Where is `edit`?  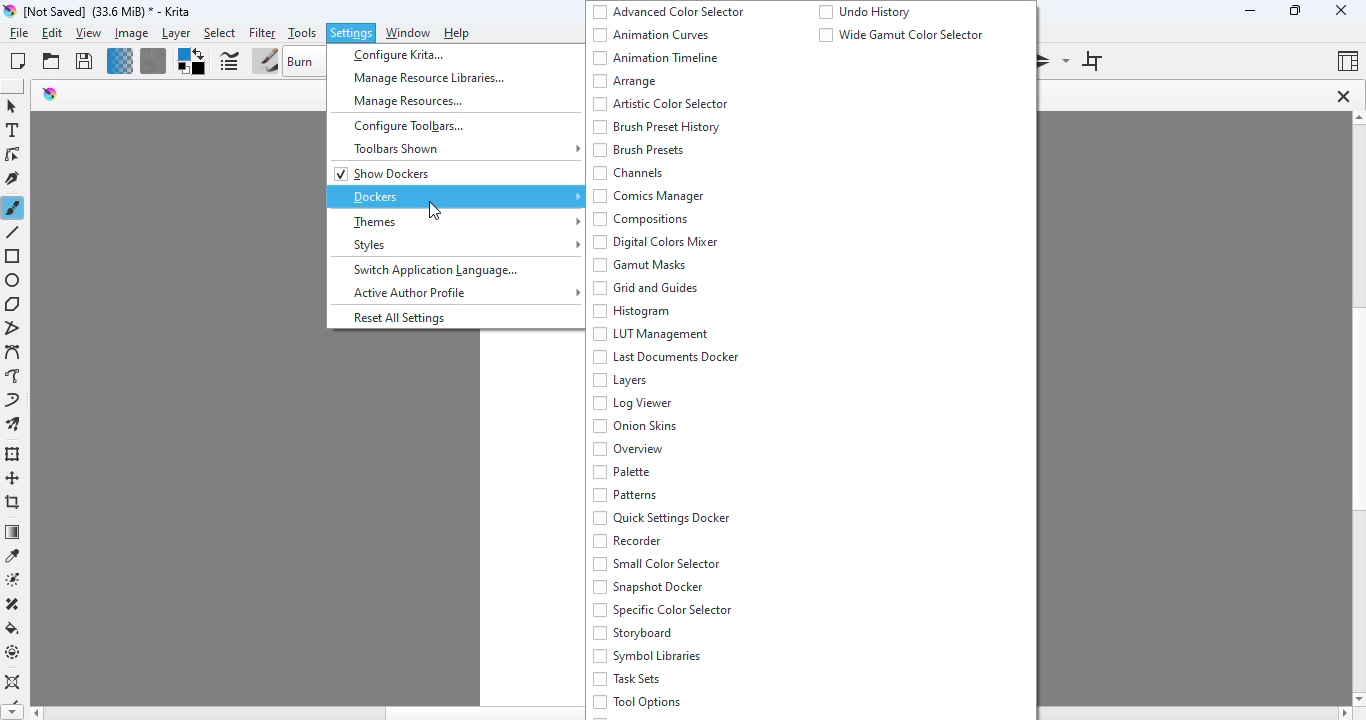 edit is located at coordinates (53, 34).